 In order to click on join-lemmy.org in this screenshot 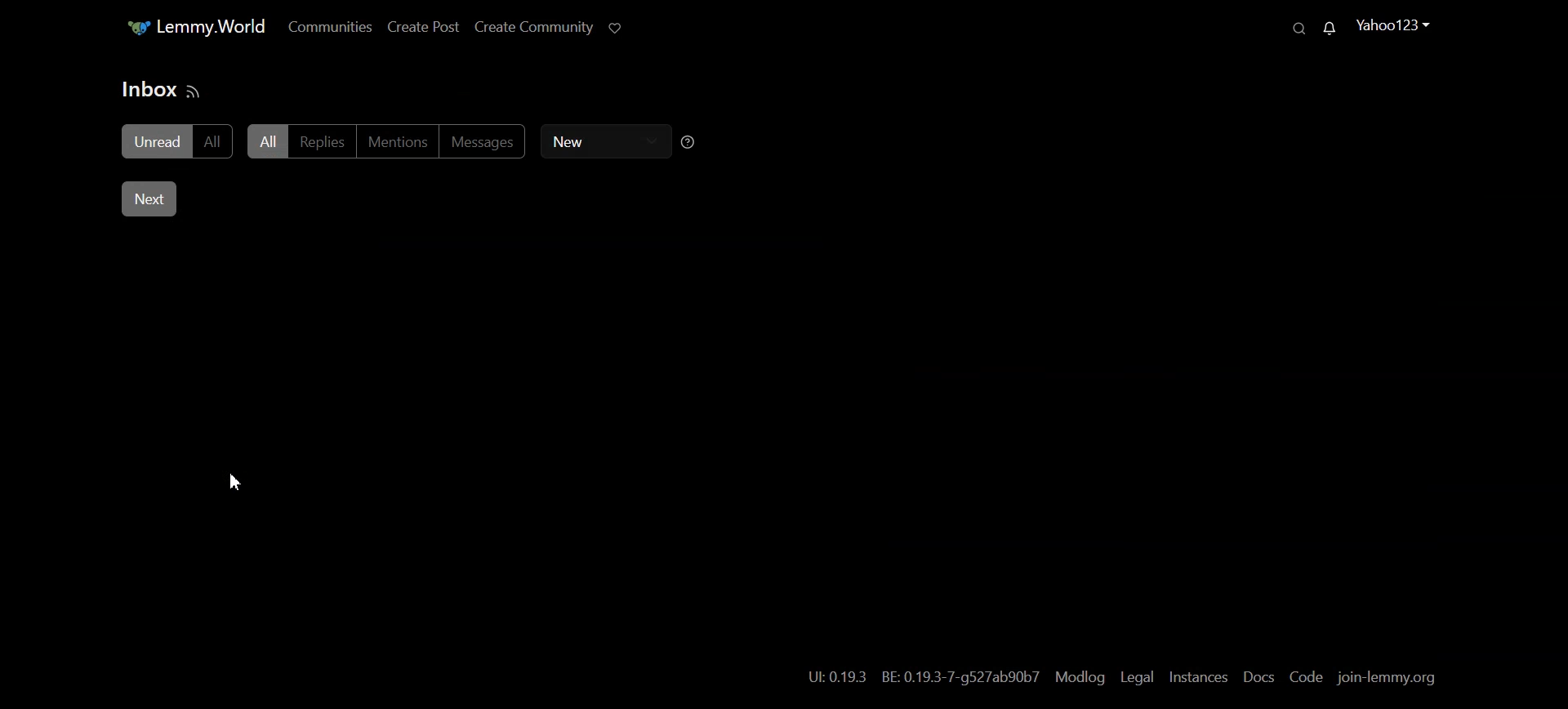, I will do `click(1388, 678)`.